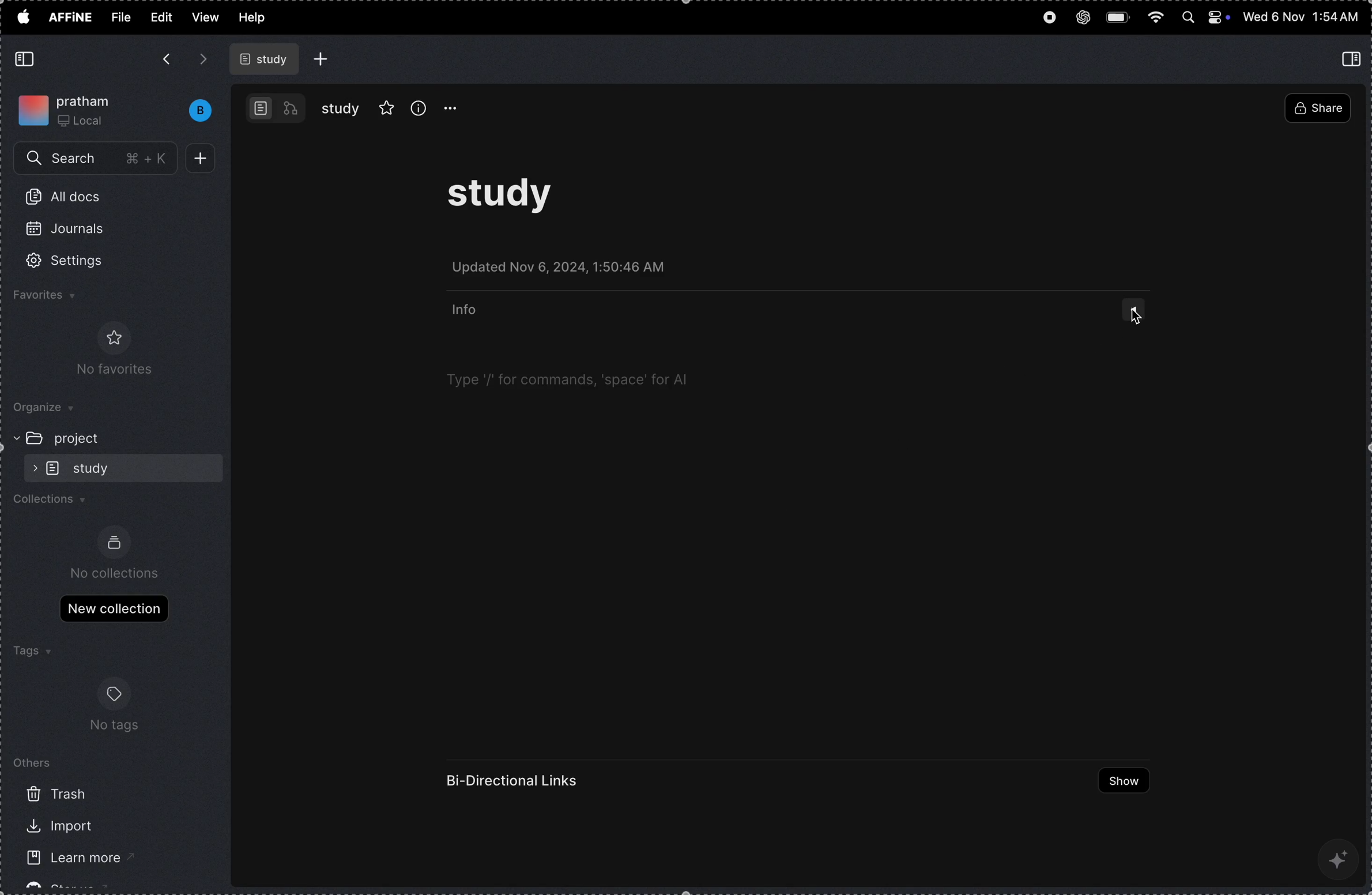 The width and height of the screenshot is (1372, 895). I want to click on record, so click(1048, 19).